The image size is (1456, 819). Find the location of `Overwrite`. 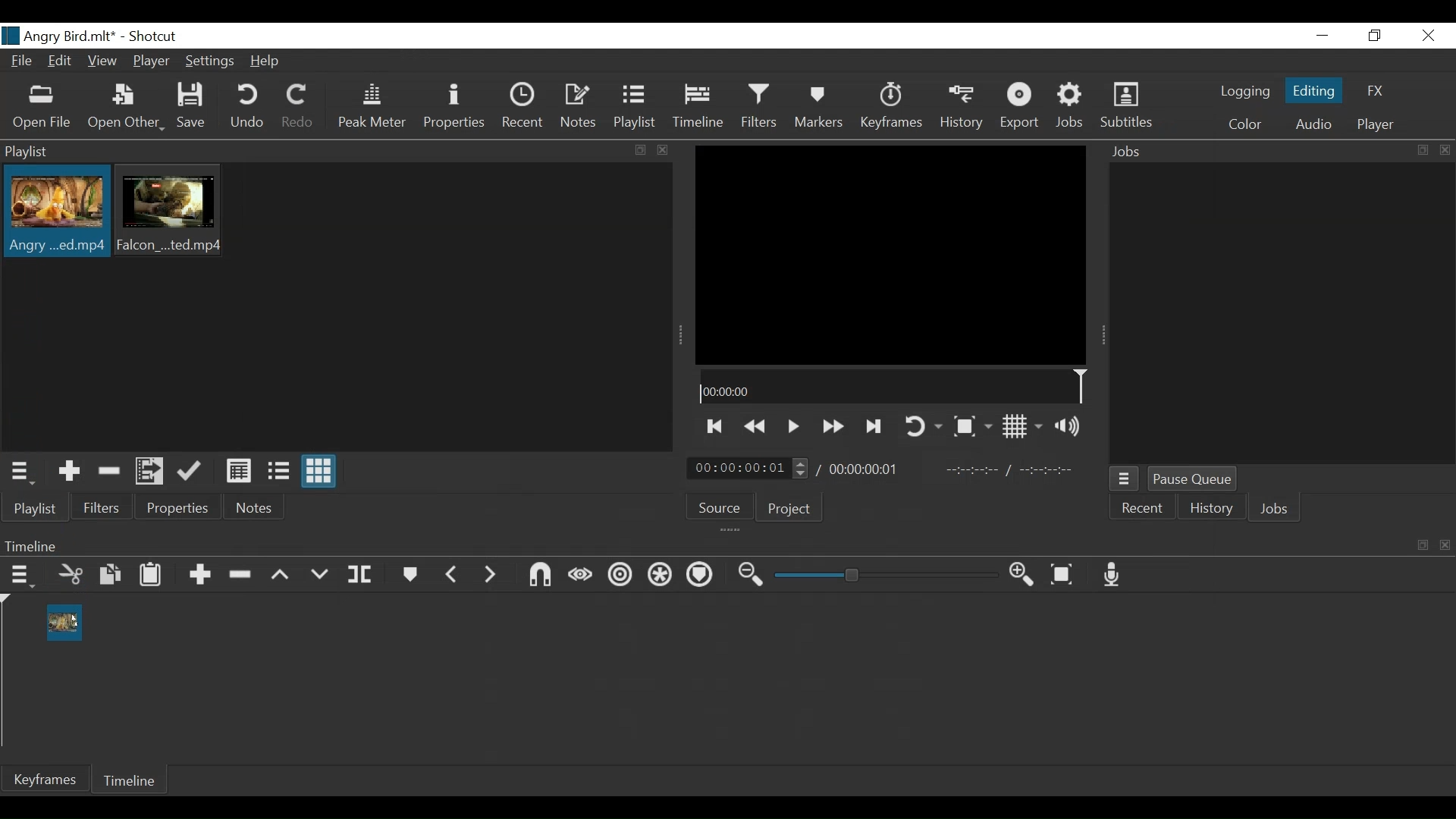

Overwrite is located at coordinates (319, 574).